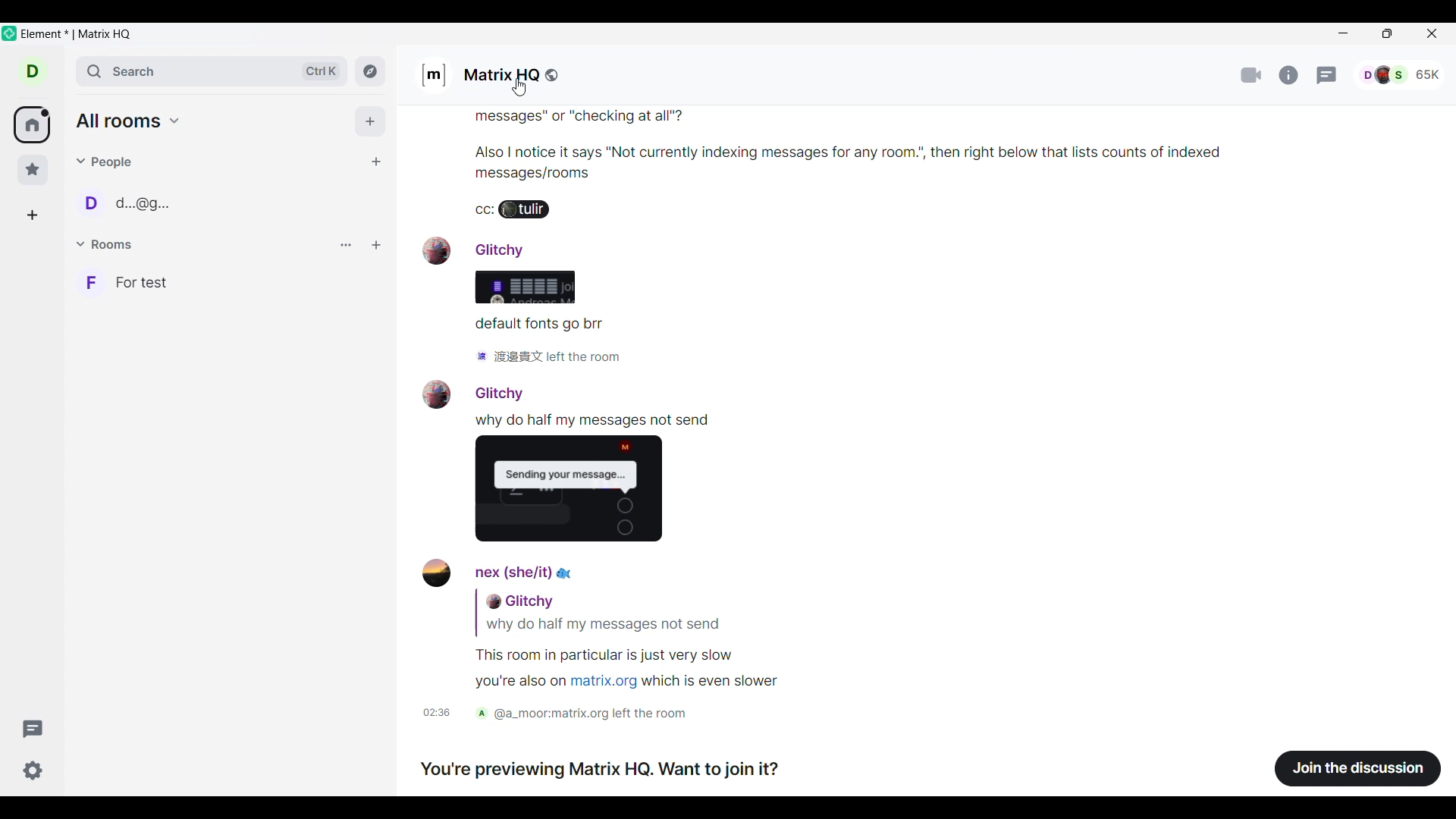 The height and width of the screenshot is (819, 1456). I want to click on element logo, so click(9, 33).